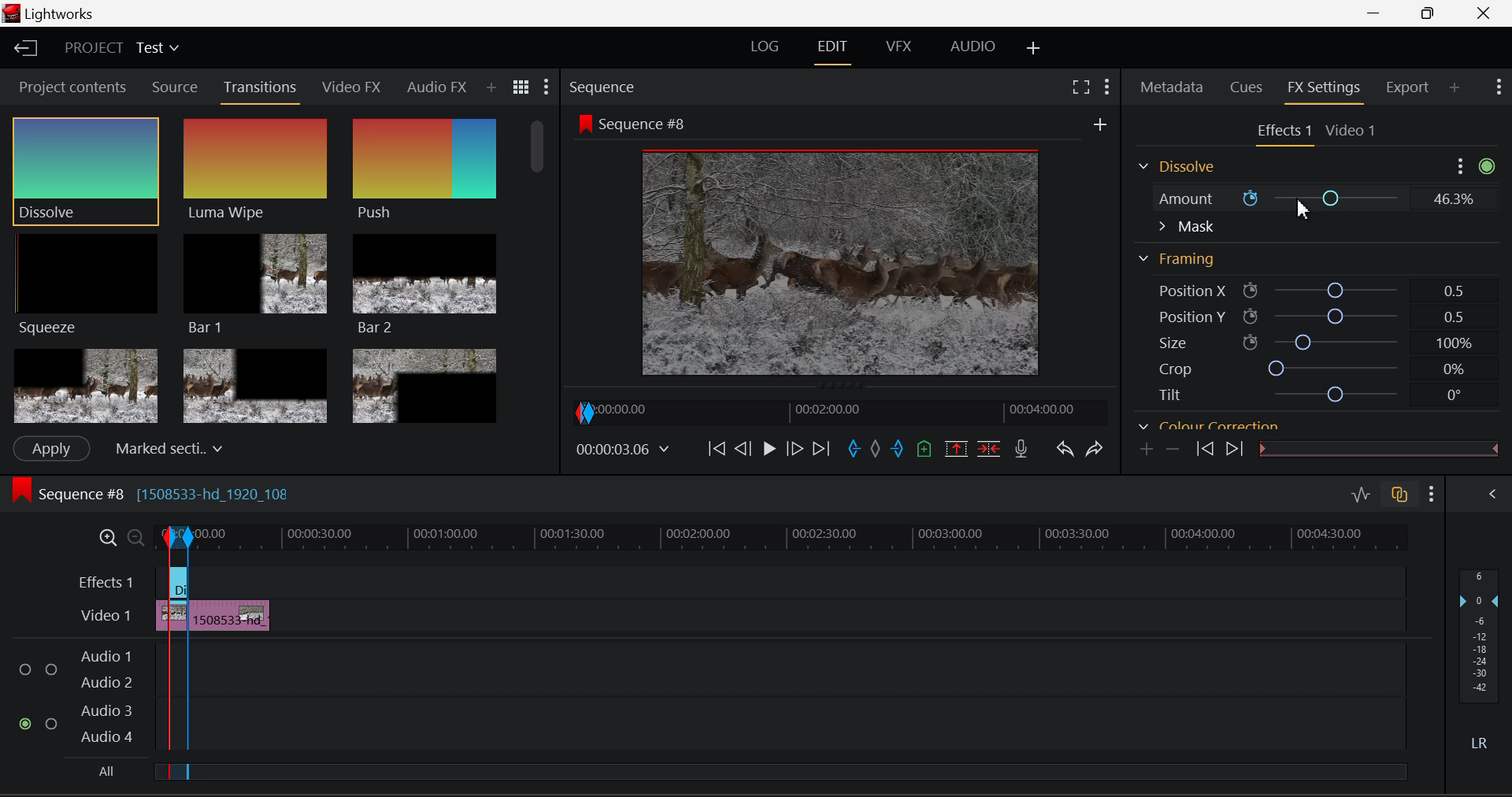 The image size is (1512, 797). What do you see at coordinates (424, 284) in the screenshot?
I see `Bar 2` at bounding box center [424, 284].